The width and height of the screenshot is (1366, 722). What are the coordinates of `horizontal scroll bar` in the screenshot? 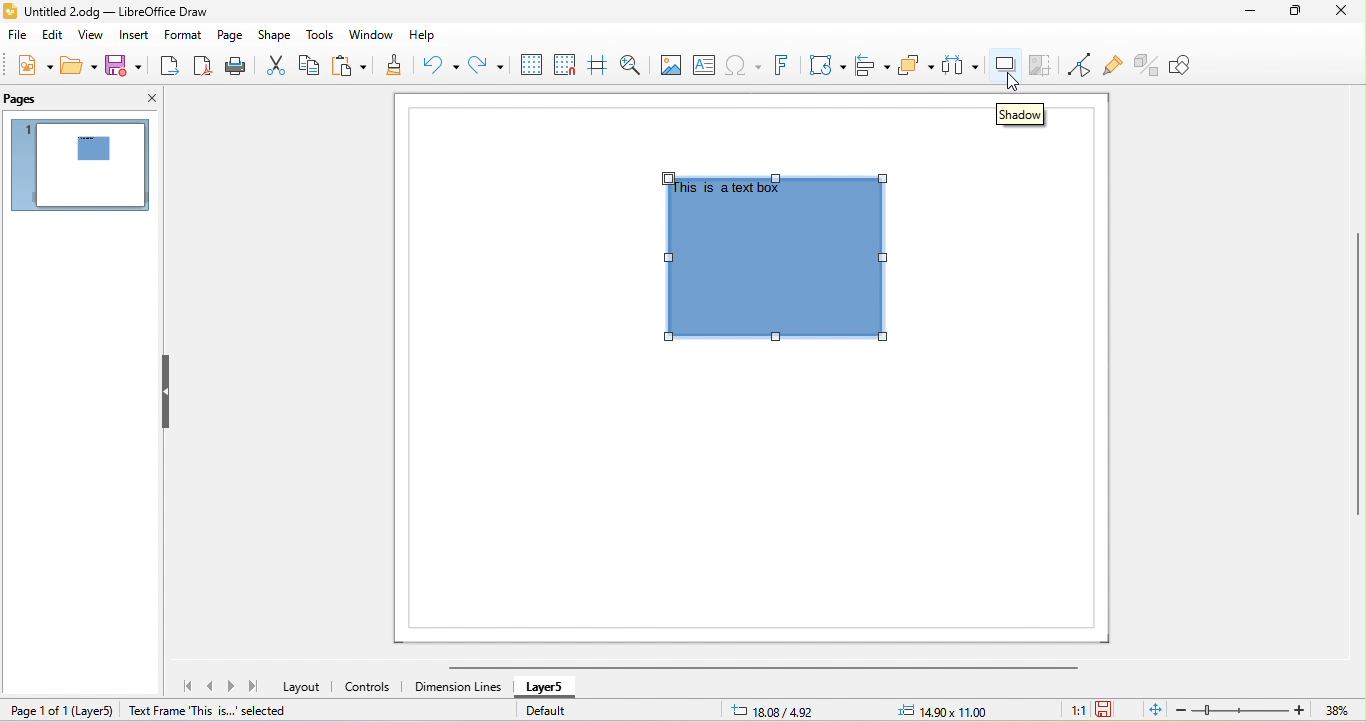 It's located at (754, 669).